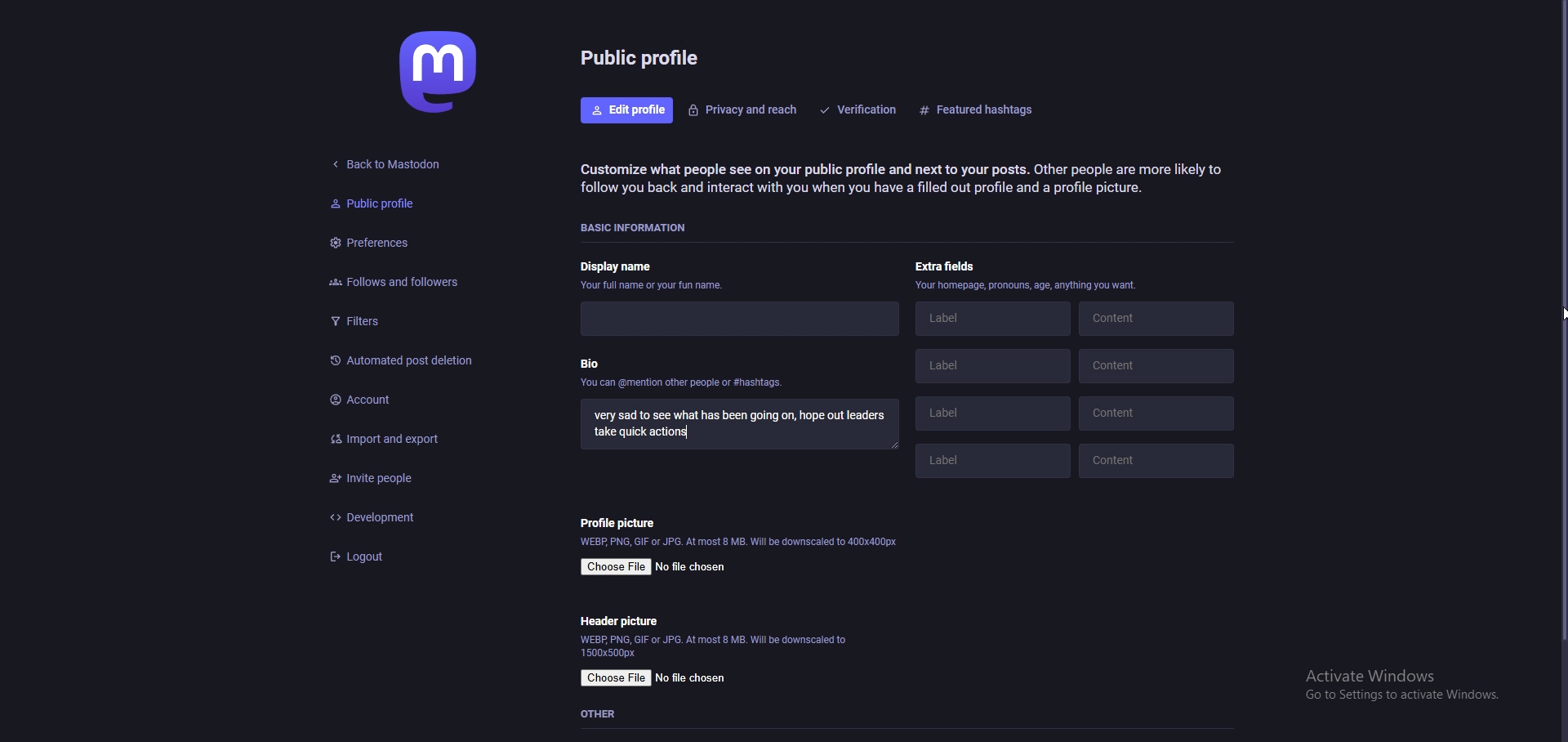 The height and width of the screenshot is (742, 1568). I want to click on extra fields, so click(947, 265).